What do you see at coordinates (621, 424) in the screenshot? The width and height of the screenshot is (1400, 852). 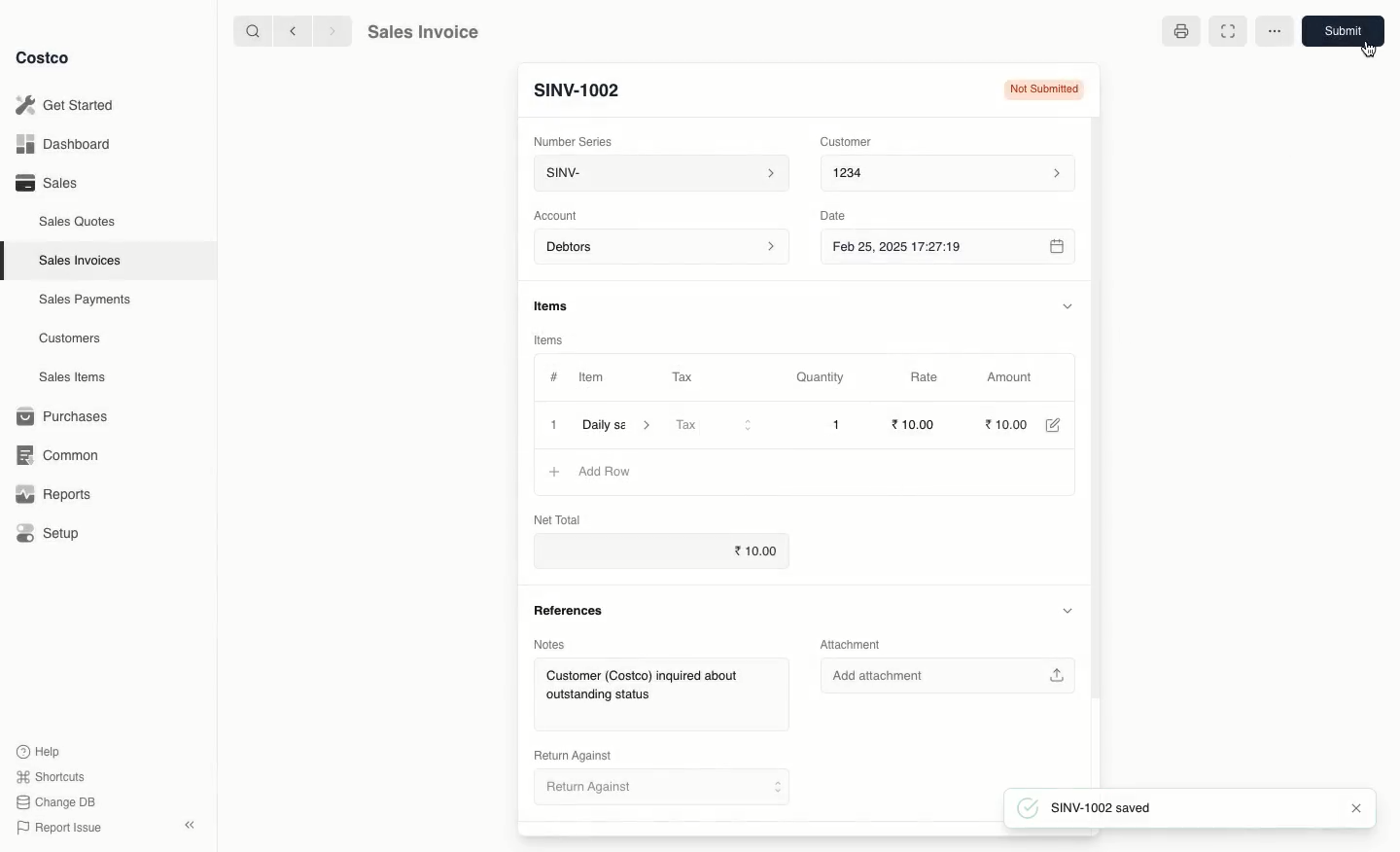 I see `Daily sa` at bounding box center [621, 424].